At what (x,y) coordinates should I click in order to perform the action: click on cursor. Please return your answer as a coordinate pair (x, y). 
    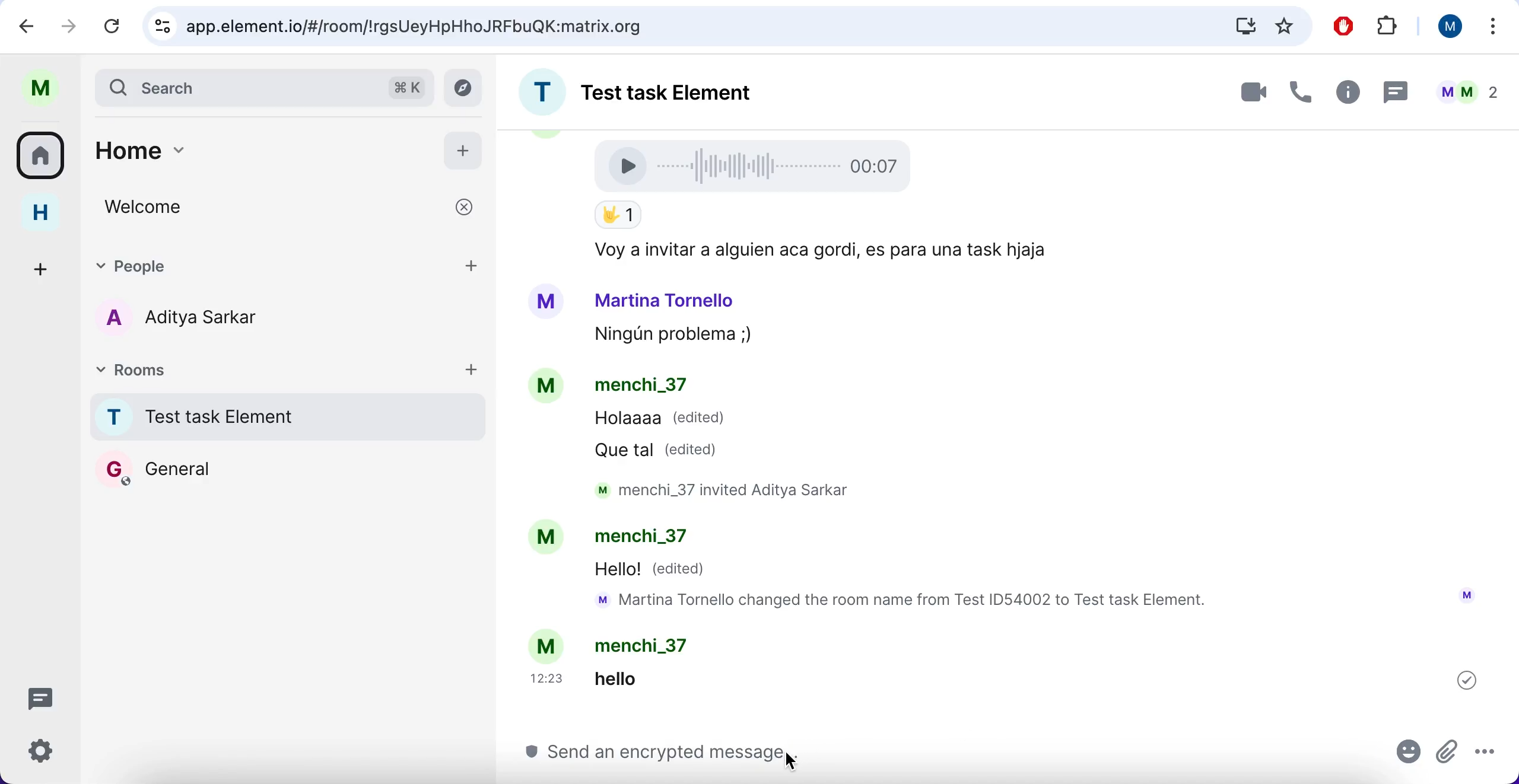
    Looking at the image, I should click on (803, 759).